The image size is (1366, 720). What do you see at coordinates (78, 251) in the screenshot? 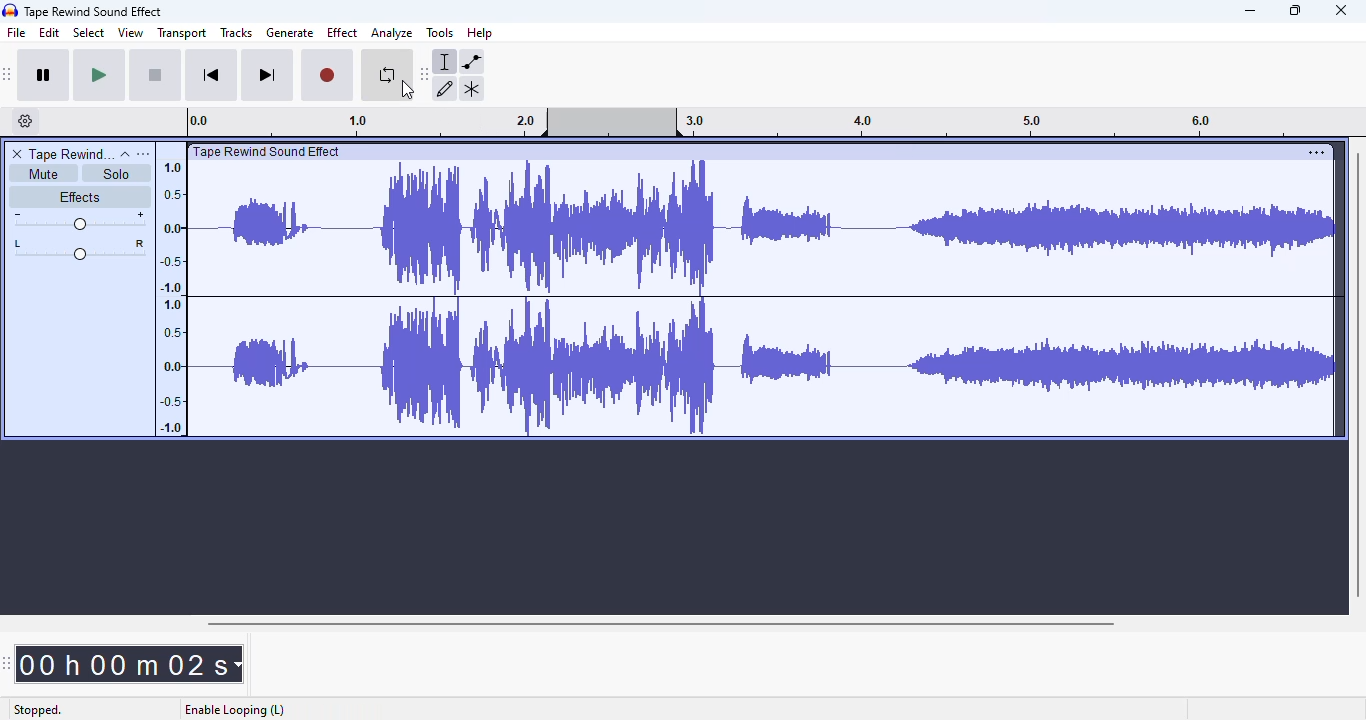
I see `pan` at bounding box center [78, 251].